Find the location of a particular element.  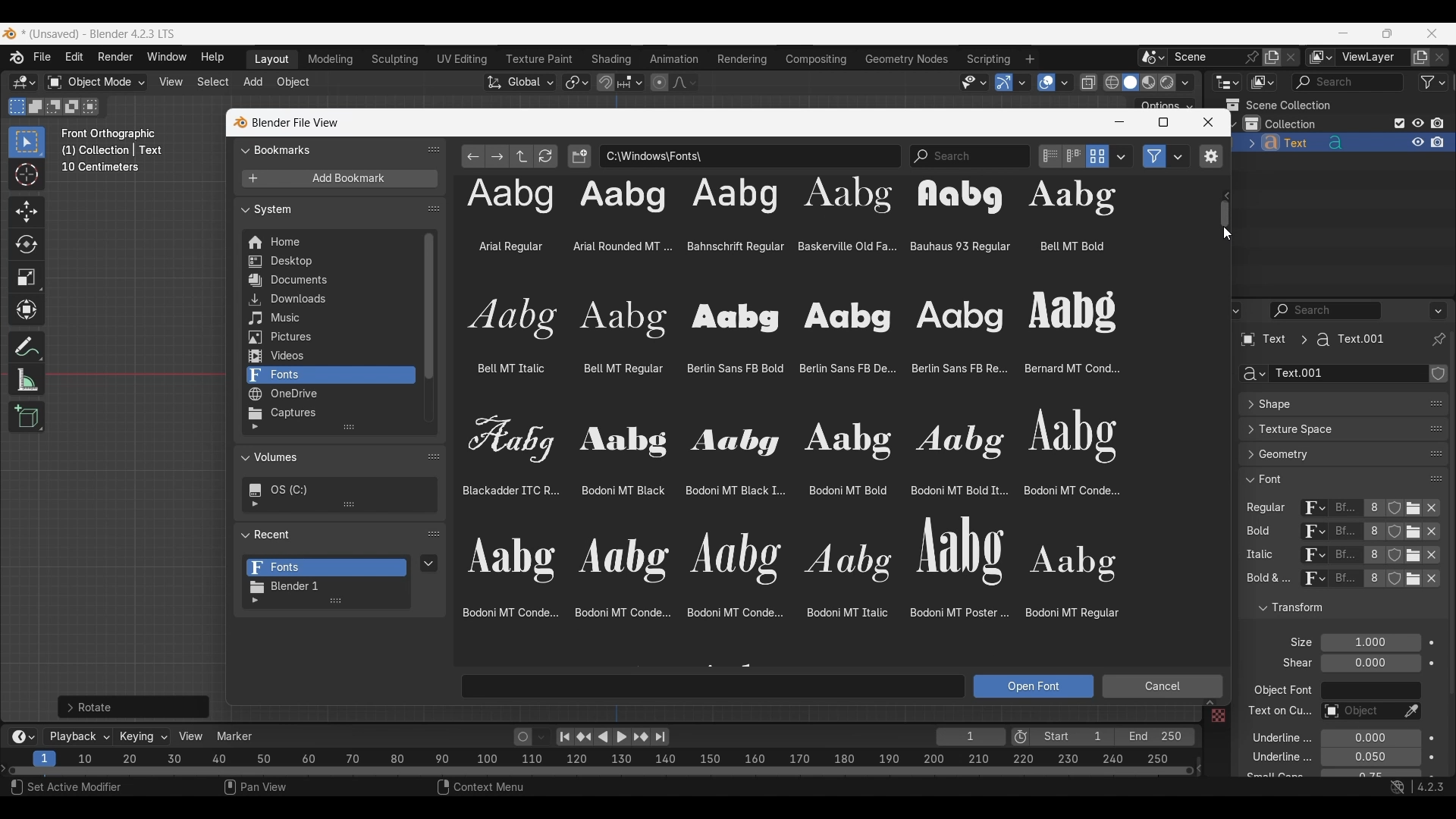

Show path history is located at coordinates (1225, 196).